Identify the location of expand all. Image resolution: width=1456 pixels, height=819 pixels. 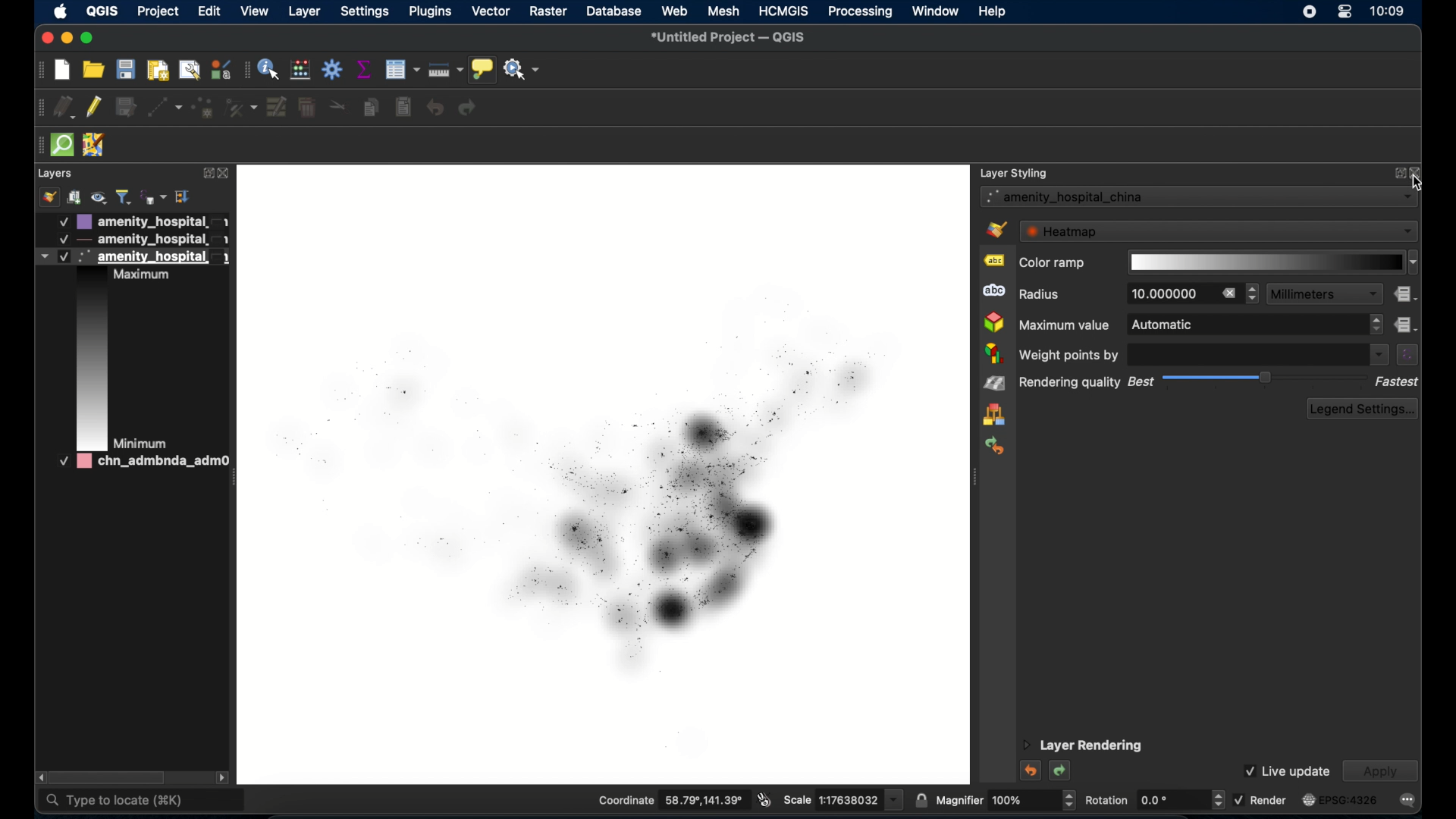
(184, 197).